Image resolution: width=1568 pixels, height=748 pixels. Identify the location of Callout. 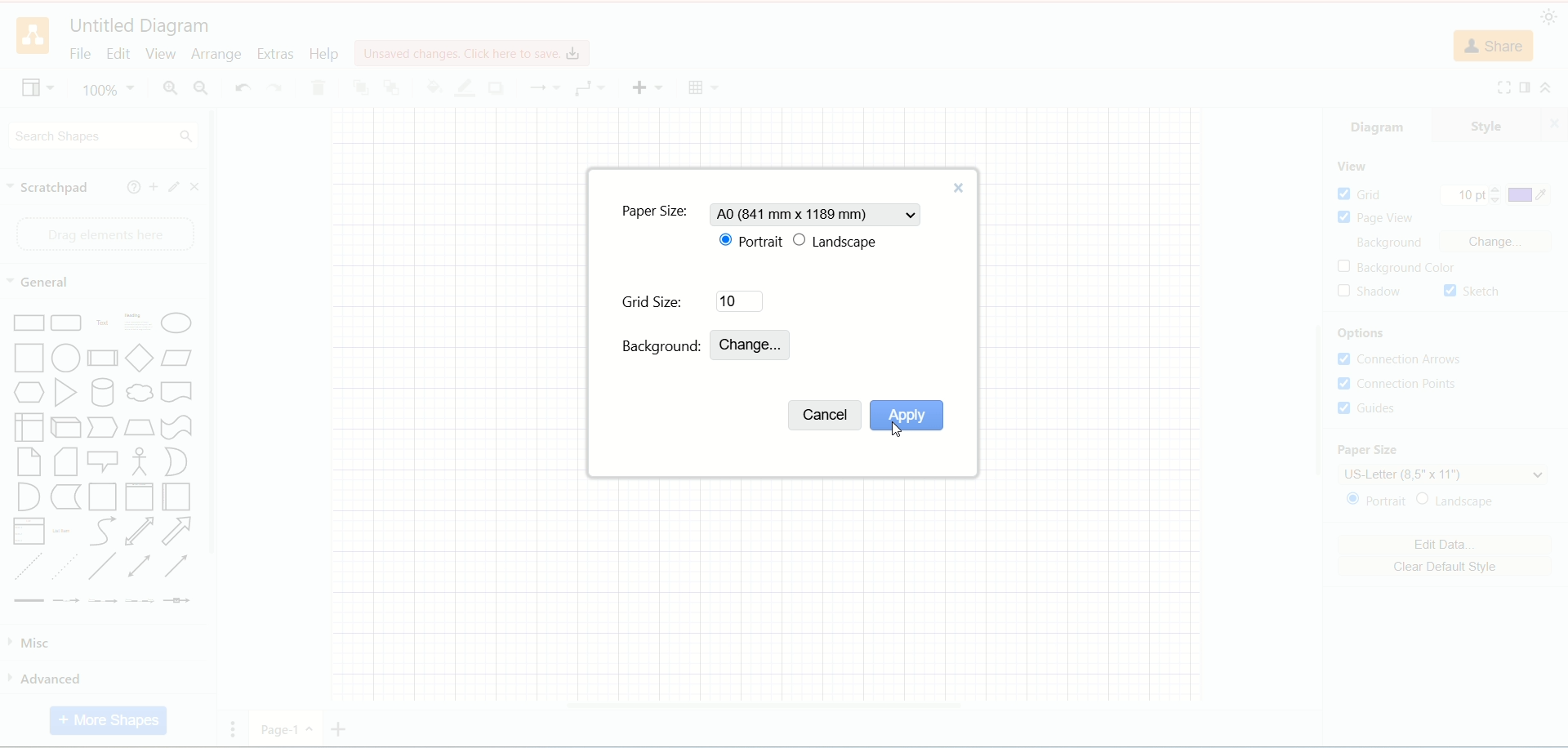
(104, 463).